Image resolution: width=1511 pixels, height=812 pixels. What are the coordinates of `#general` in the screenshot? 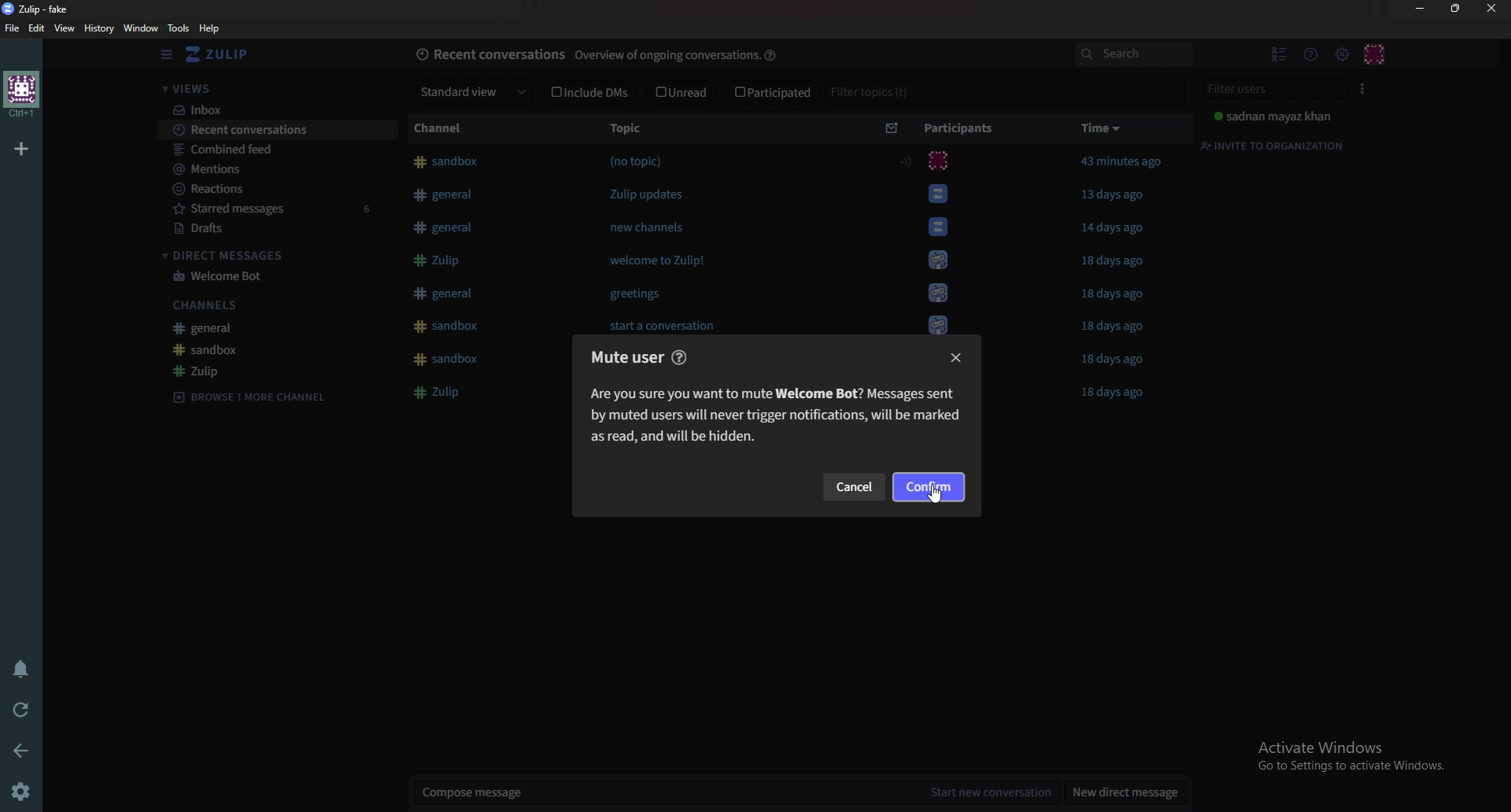 It's located at (443, 193).